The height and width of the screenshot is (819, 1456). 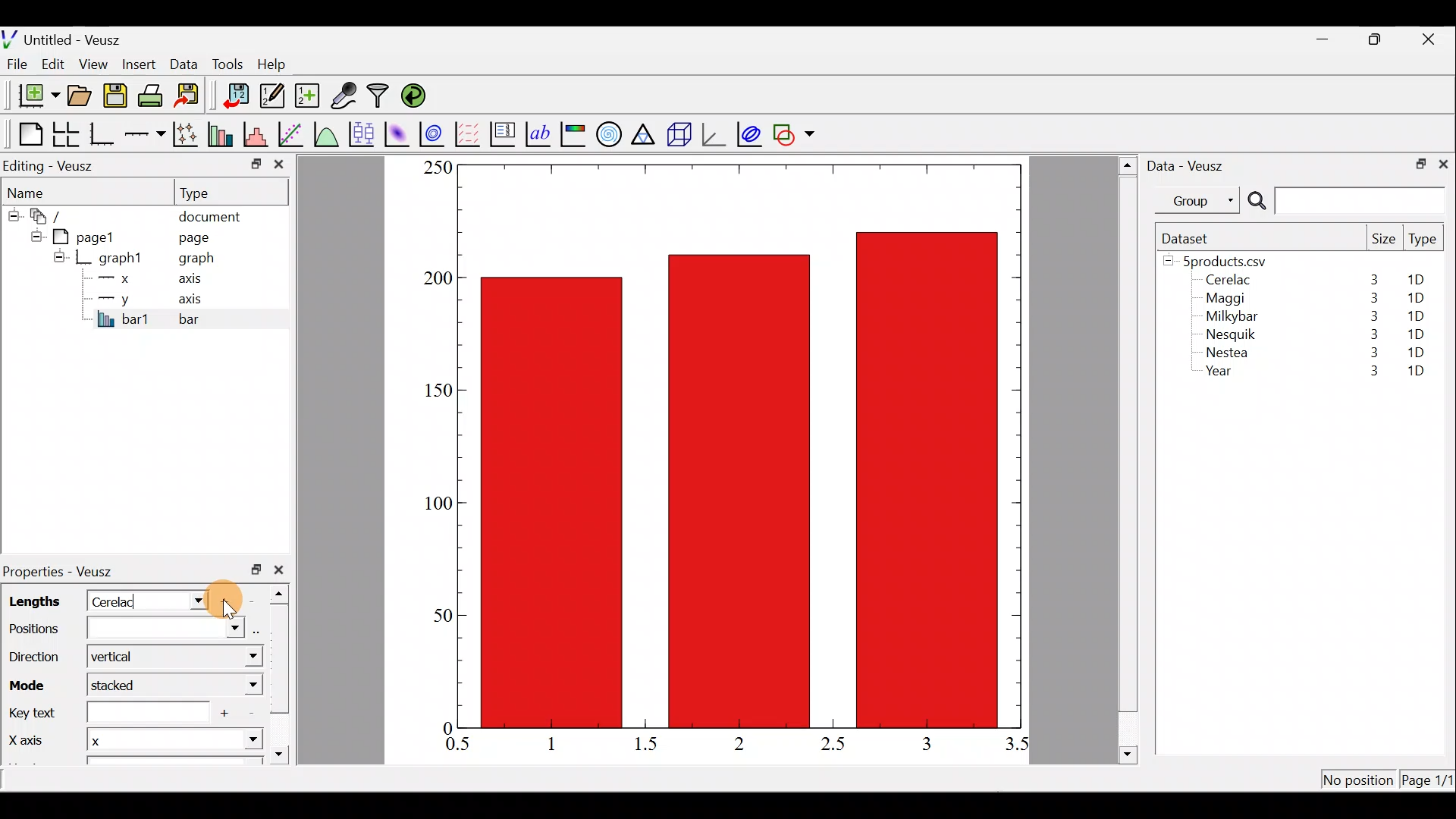 I want to click on Add another item, so click(x=229, y=601).